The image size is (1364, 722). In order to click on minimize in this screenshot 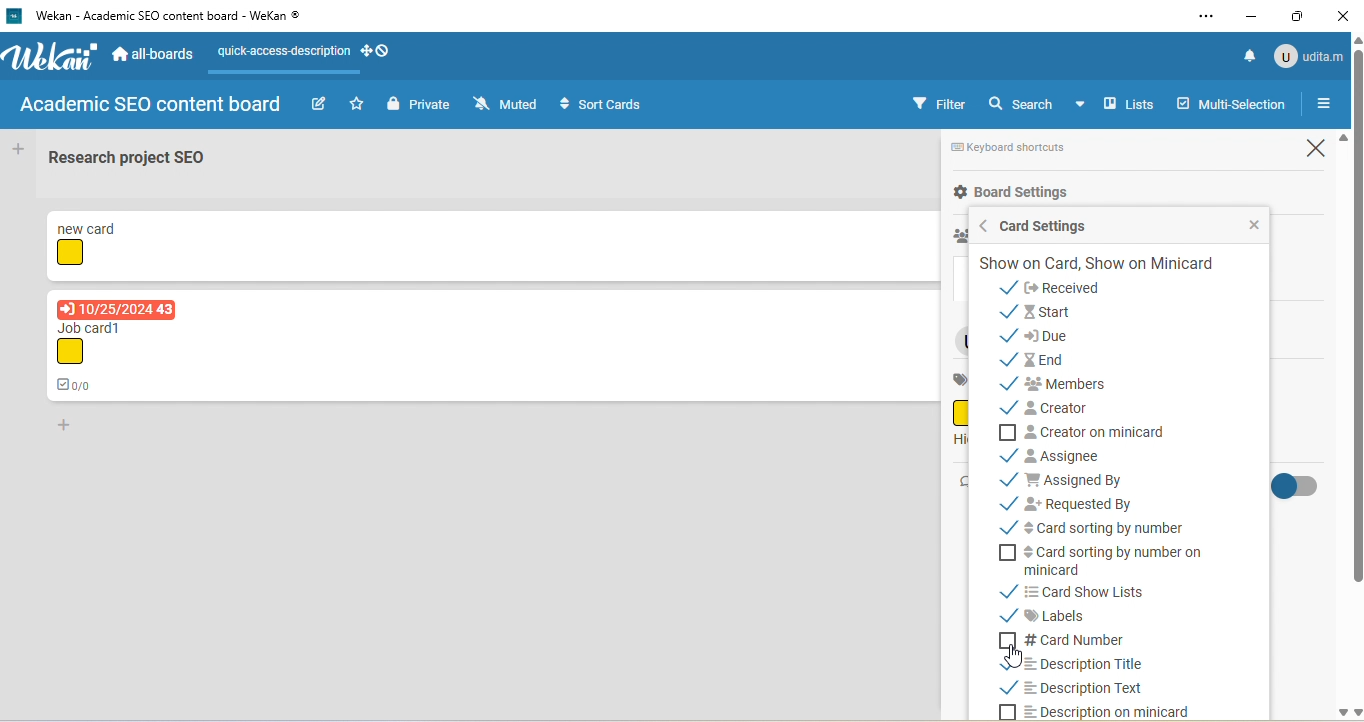, I will do `click(1252, 15)`.